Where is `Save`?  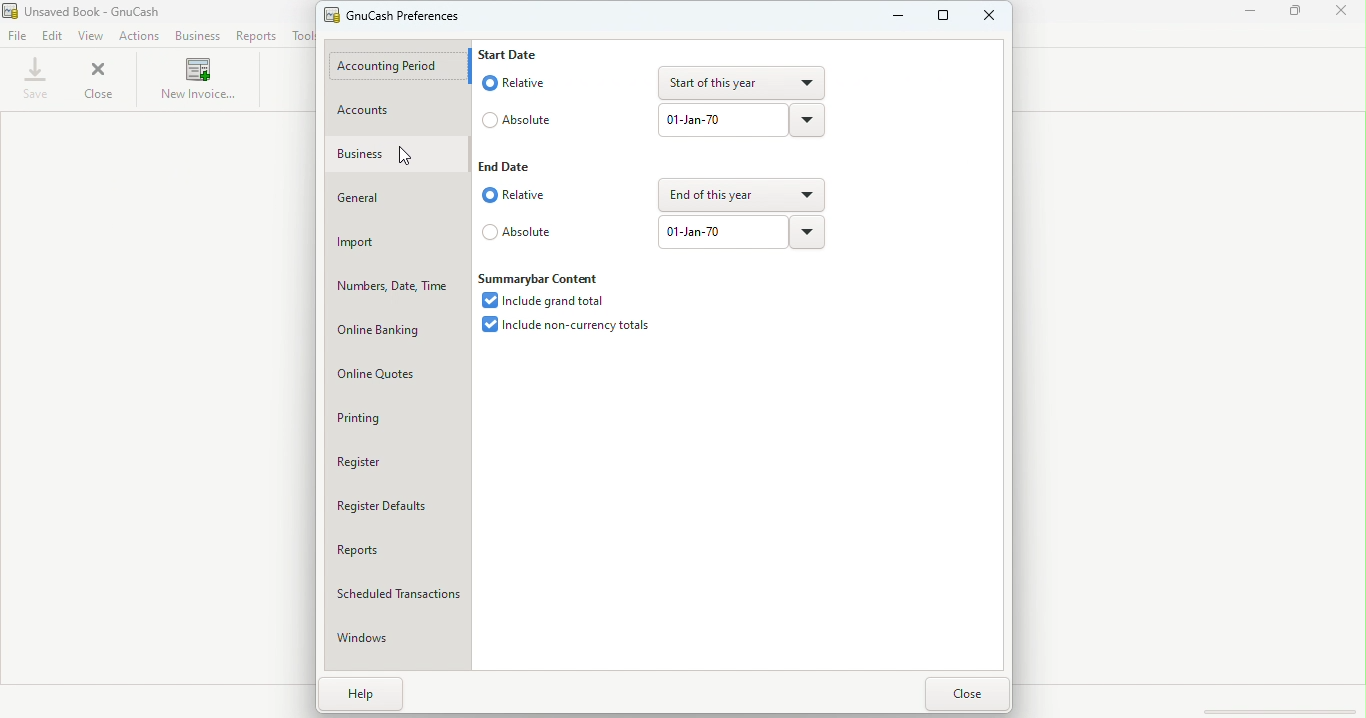 Save is located at coordinates (36, 79).